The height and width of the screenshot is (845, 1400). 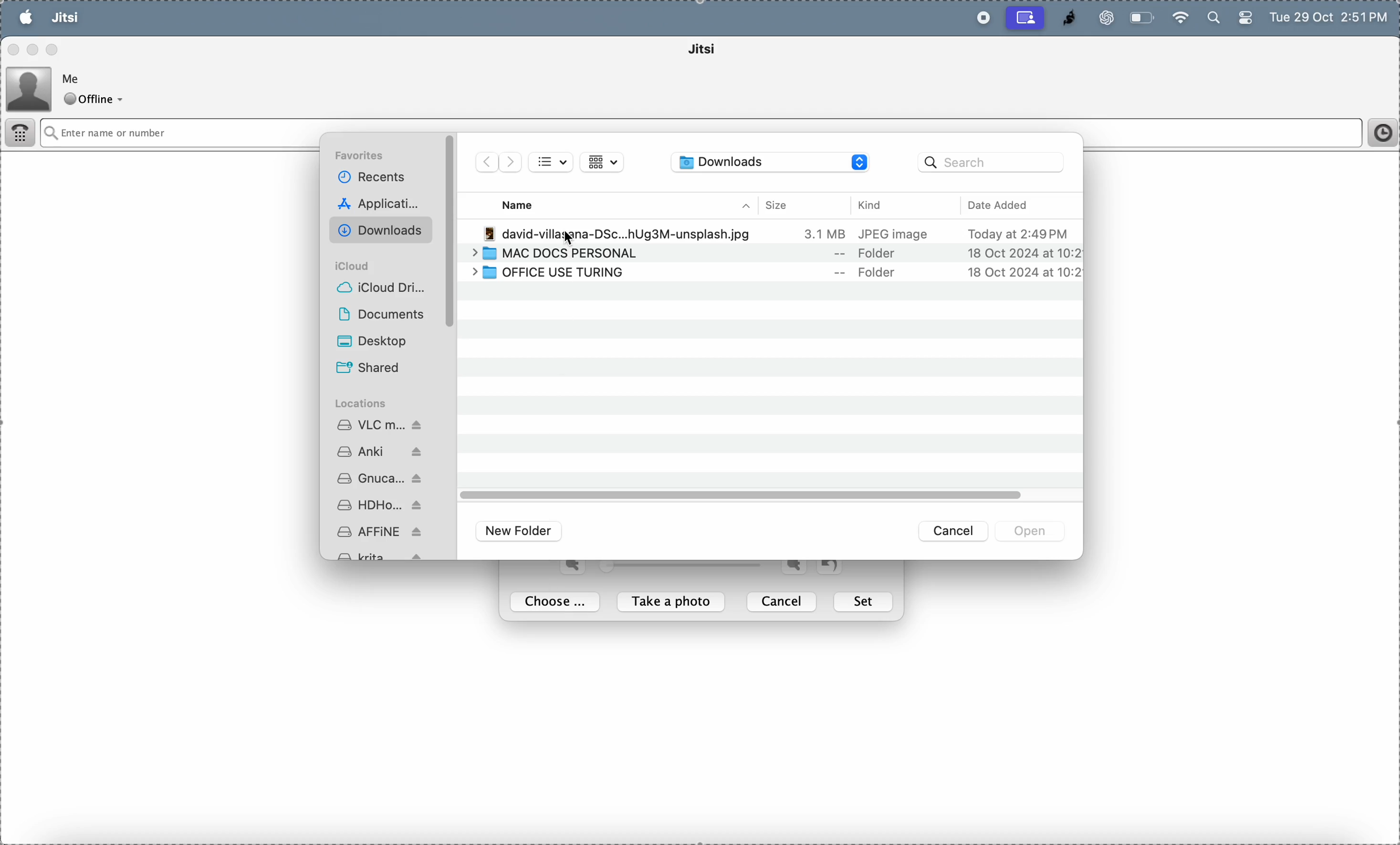 I want to click on cast, so click(x=1026, y=18).